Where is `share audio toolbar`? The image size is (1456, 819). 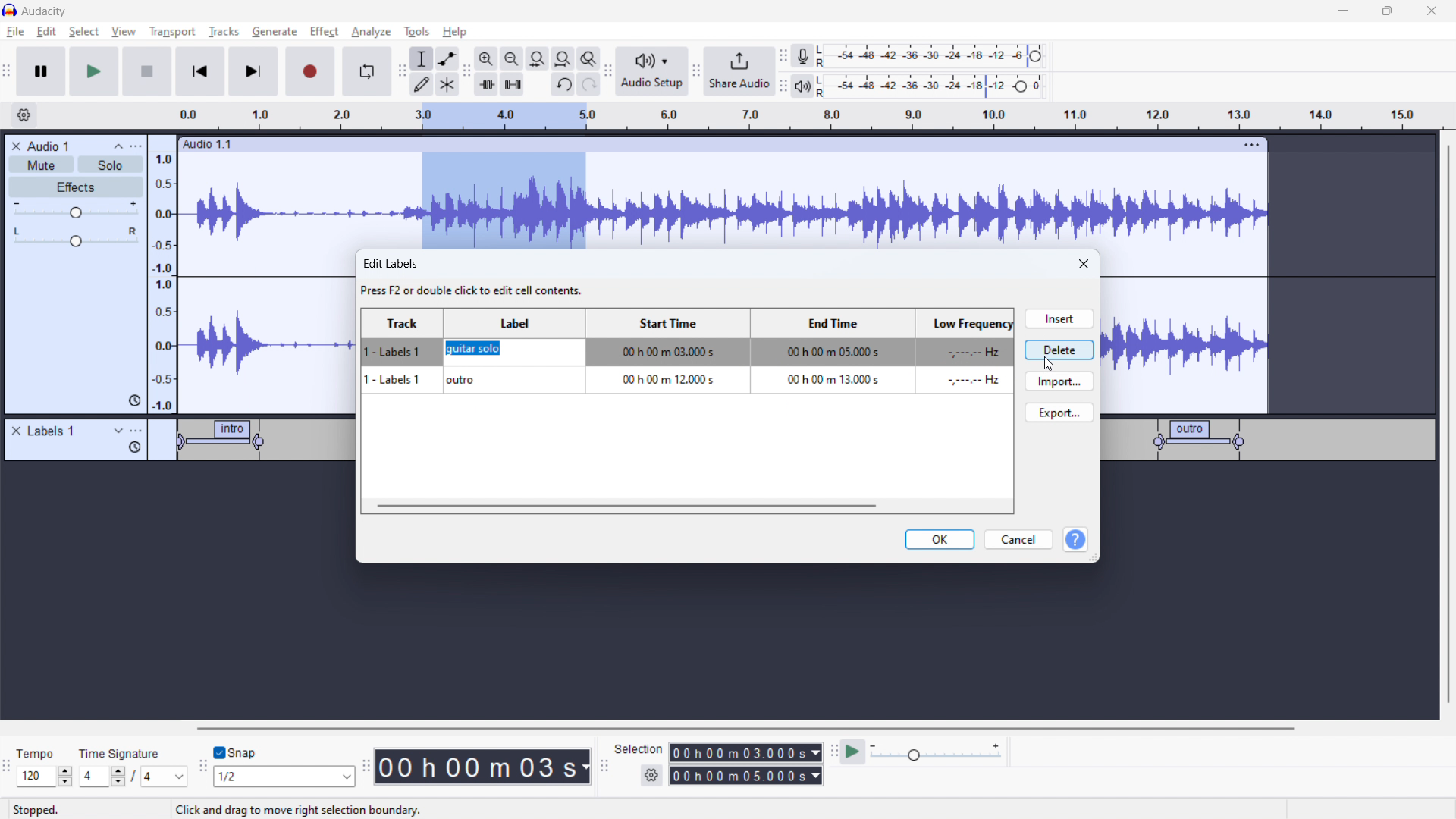
share audio toolbar is located at coordinates (696, 73).